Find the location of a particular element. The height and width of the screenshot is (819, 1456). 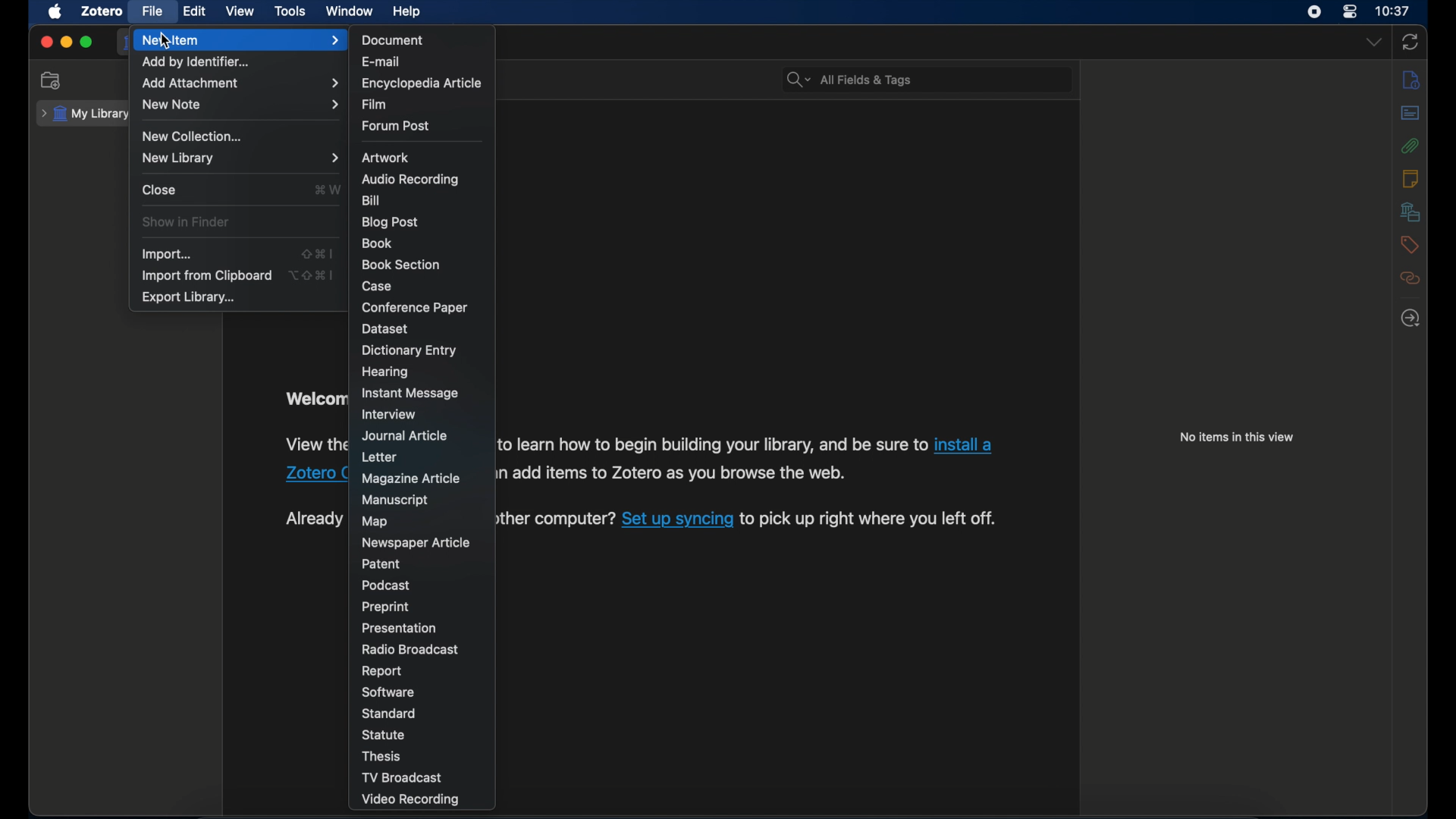

libraries is located at coordinates (1410, 212).